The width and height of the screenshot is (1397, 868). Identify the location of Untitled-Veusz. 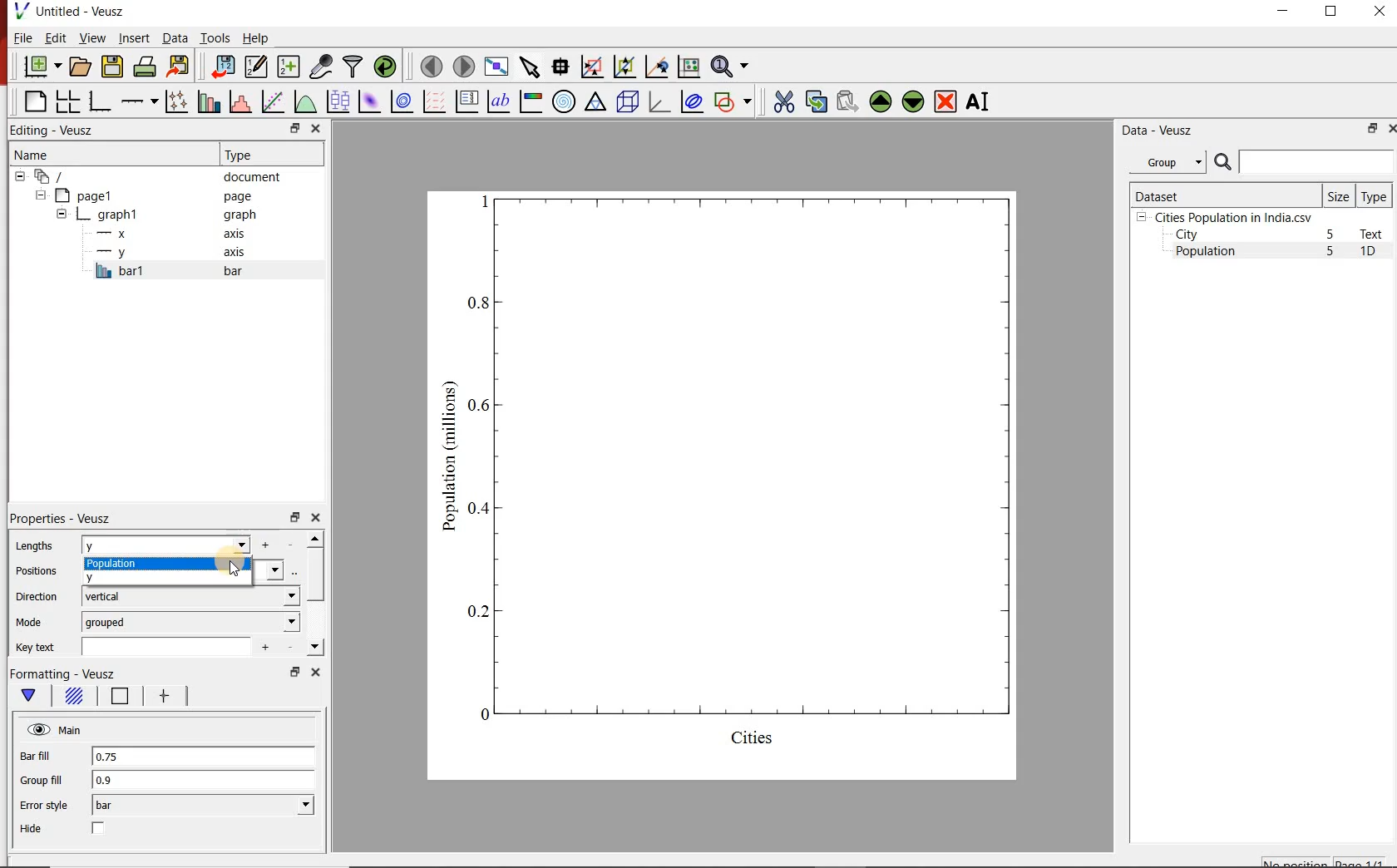
(71, 12).